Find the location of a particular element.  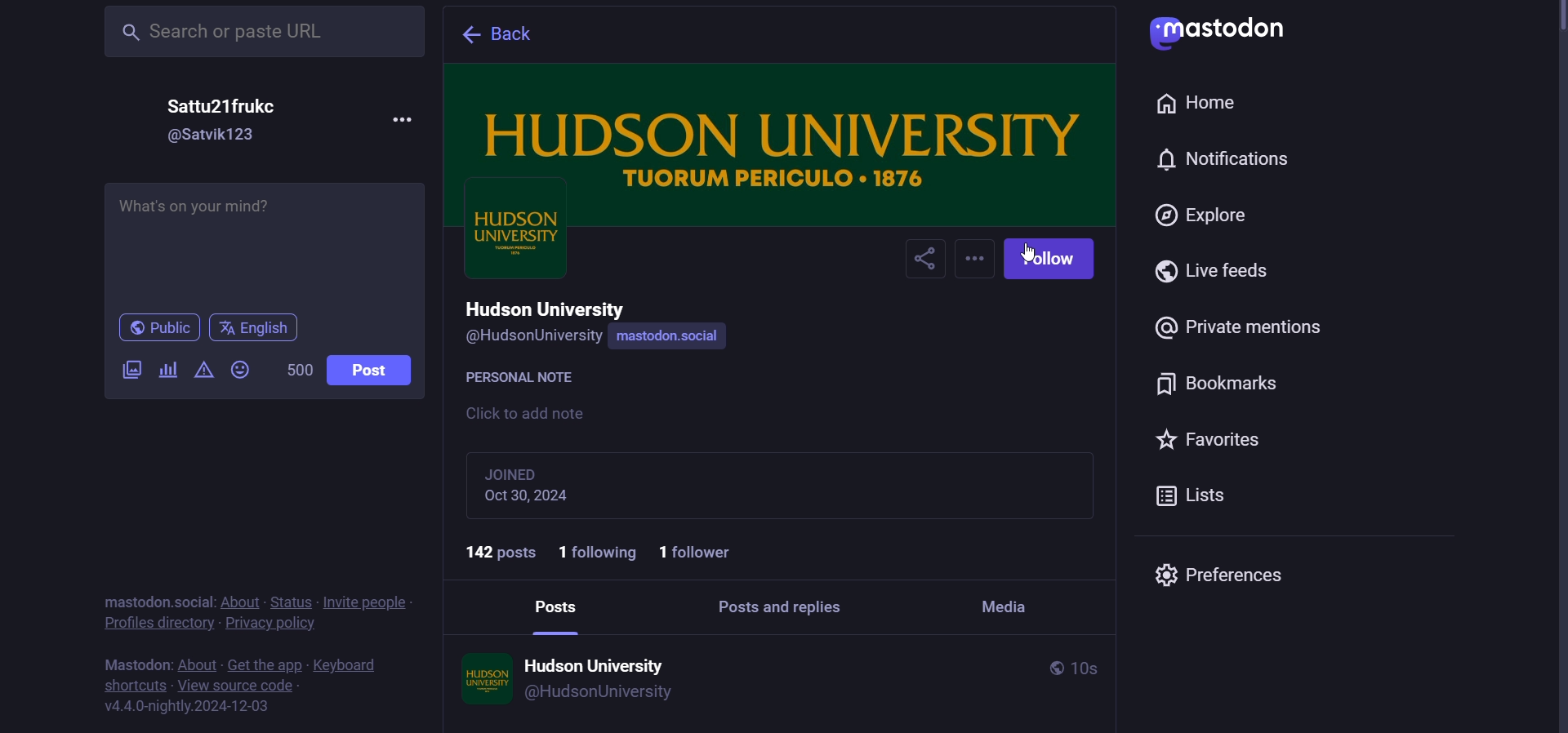

media is located at coordinates (1006, 602).